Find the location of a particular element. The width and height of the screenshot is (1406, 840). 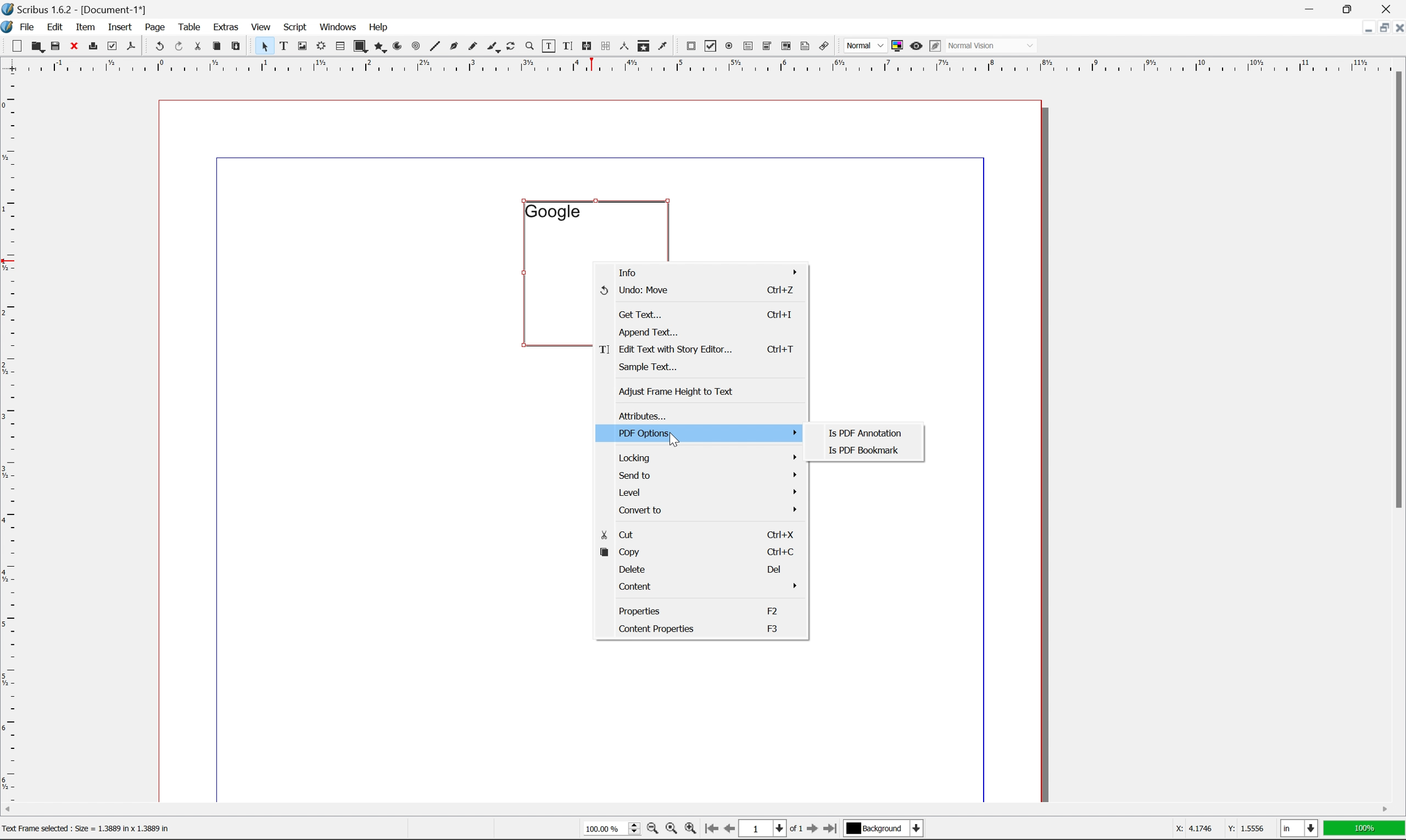

copy item properties is located at coordinates (644, 46).